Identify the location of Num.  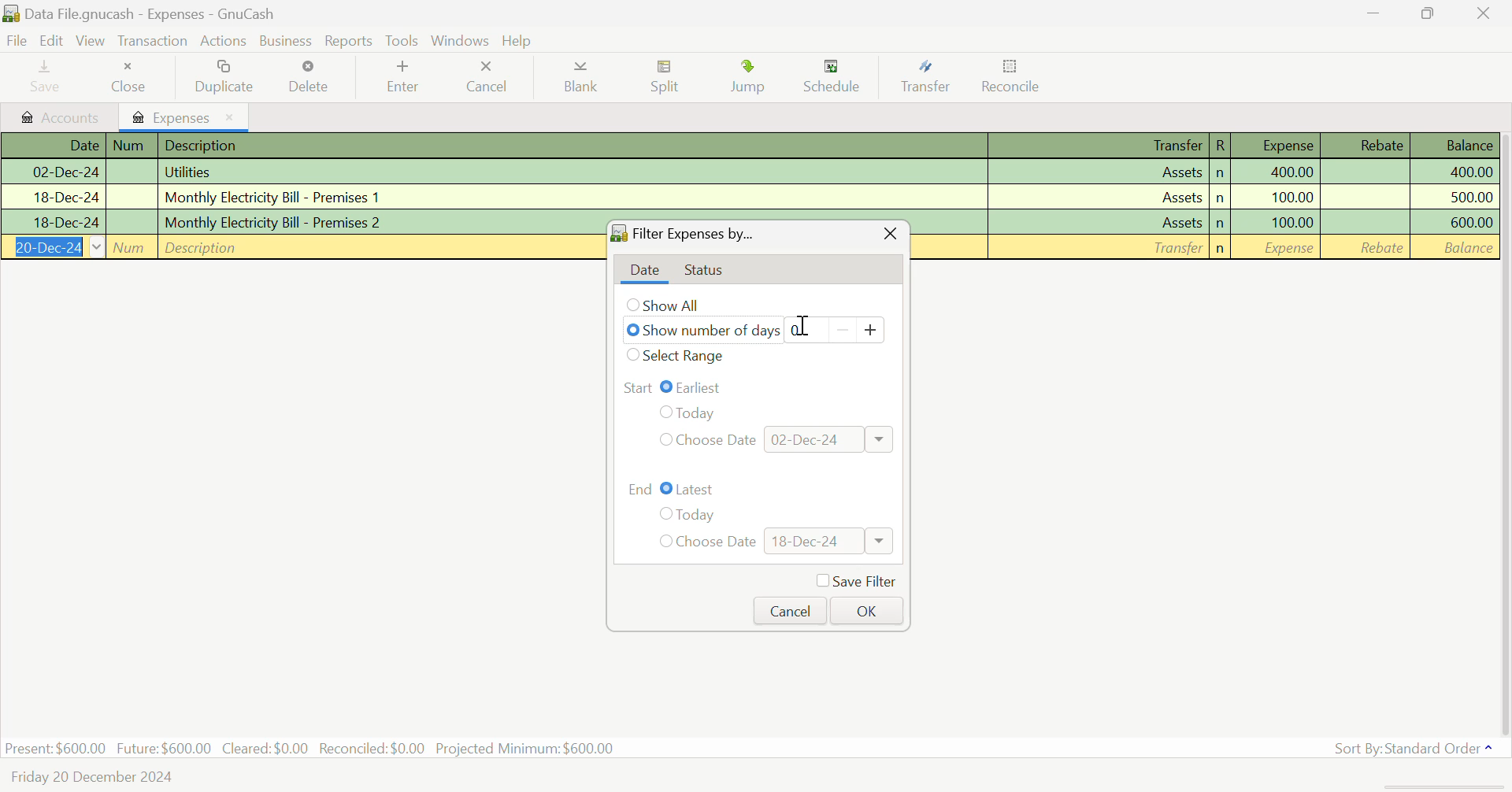
(129, 172).